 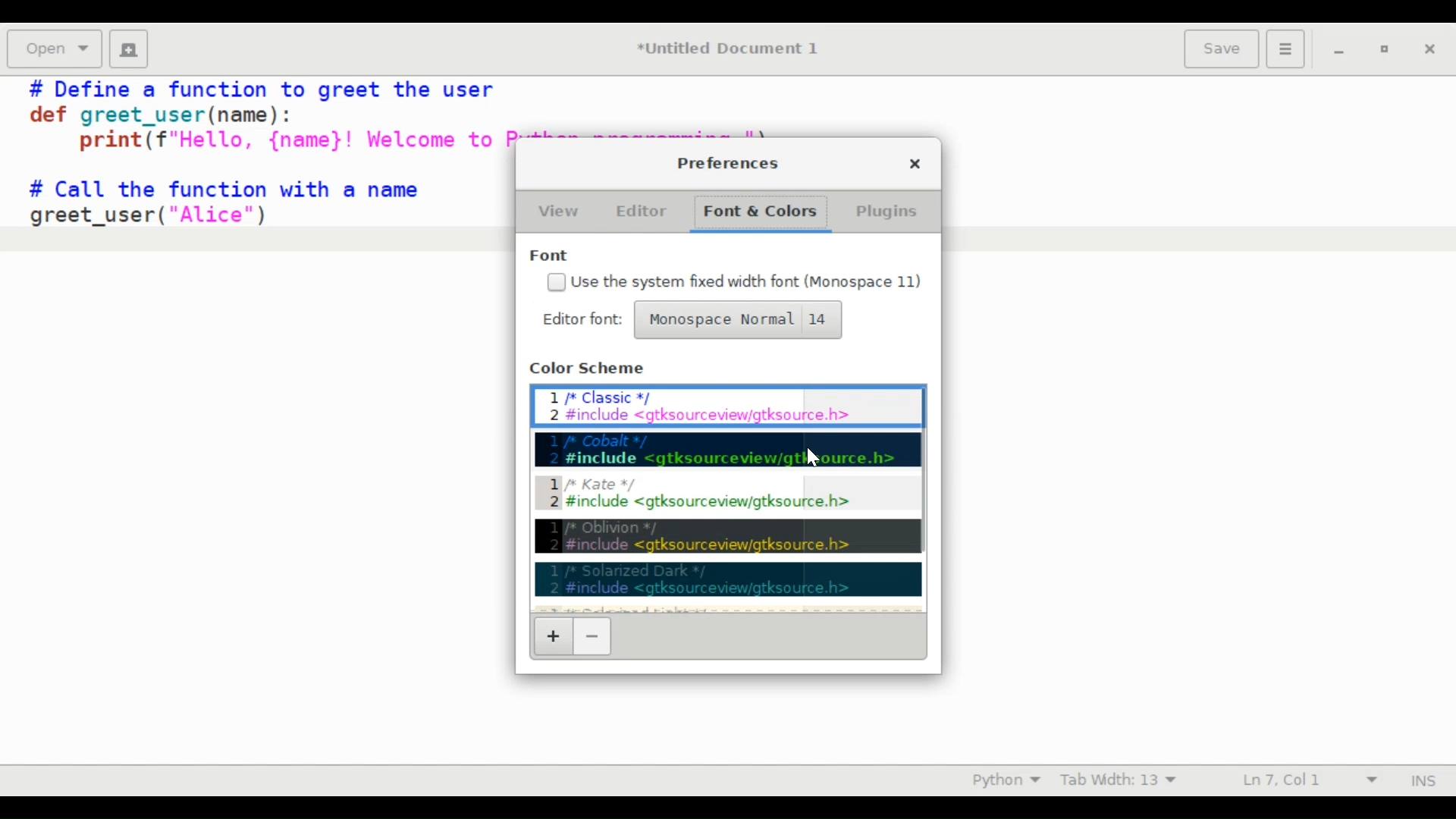 I want to click on Restore, so click(x=1383, y=49).